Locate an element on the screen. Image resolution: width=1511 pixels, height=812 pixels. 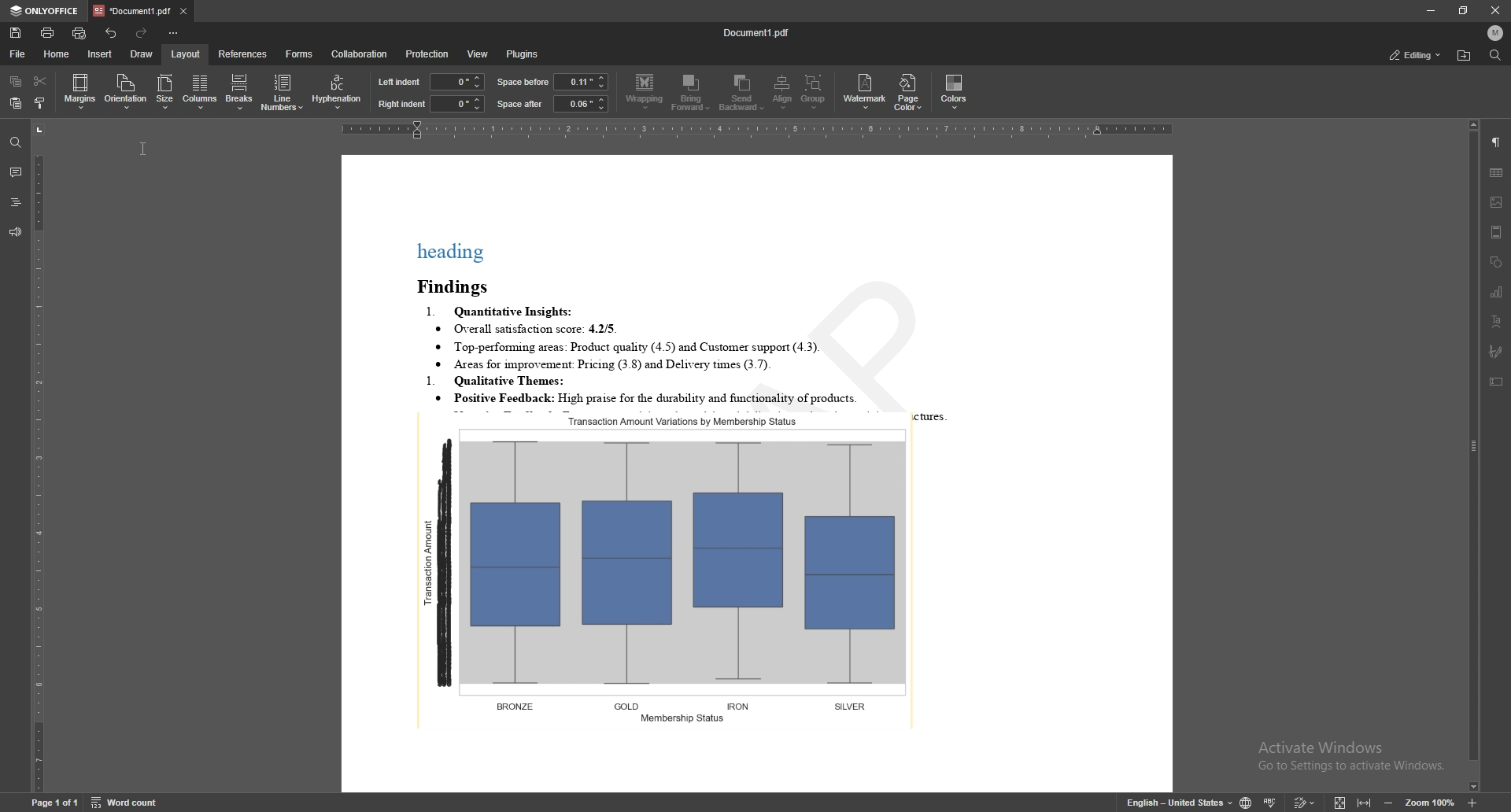
columns is located at coordinates (198, 92).